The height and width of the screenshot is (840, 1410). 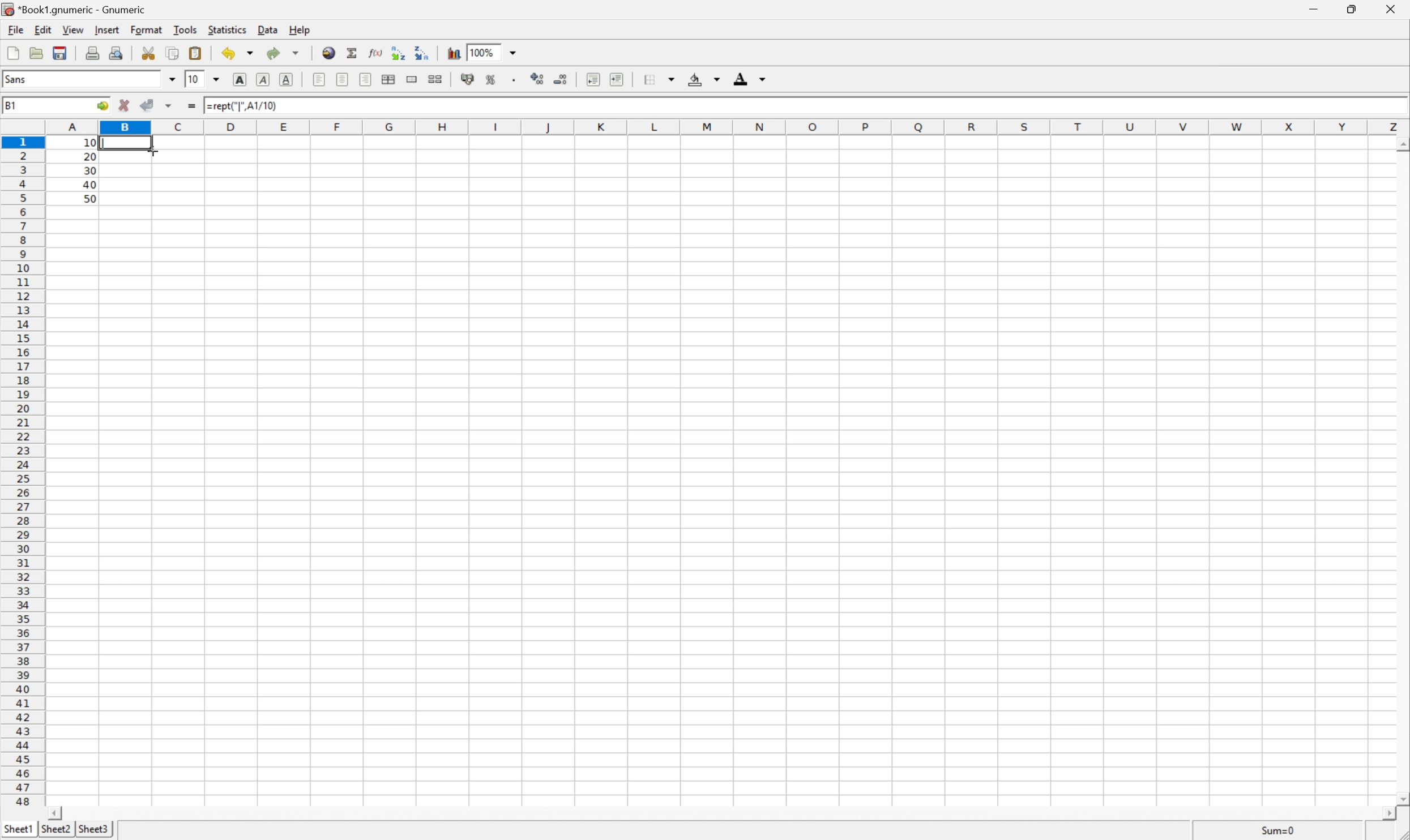 What do you see at coordinates (72, 29) in the screenshot?
I see `View` at bounding box center [72, 29].